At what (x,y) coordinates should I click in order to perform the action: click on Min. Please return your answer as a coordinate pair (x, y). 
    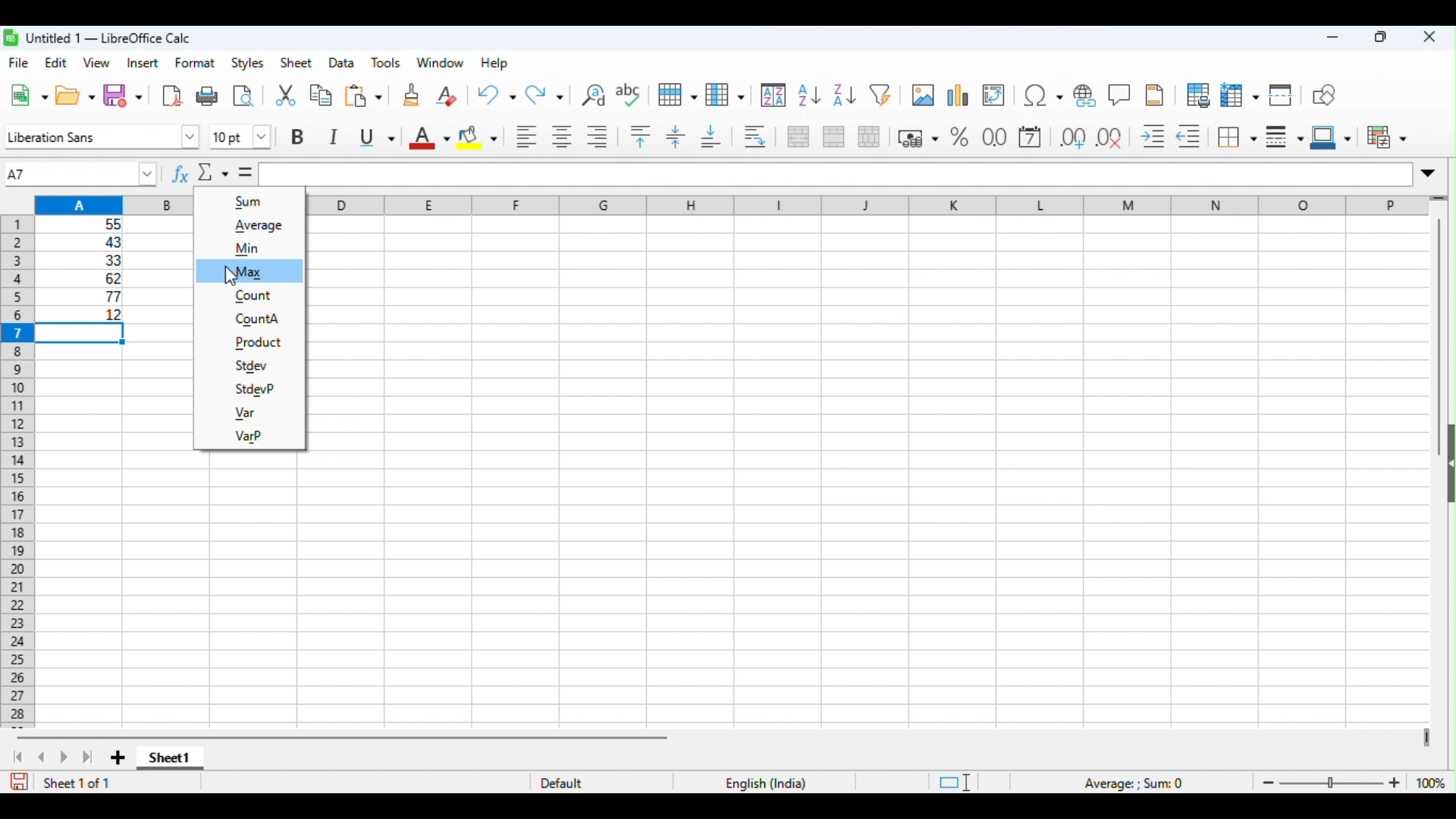
    Looking at the image, I should click on (256, 247).